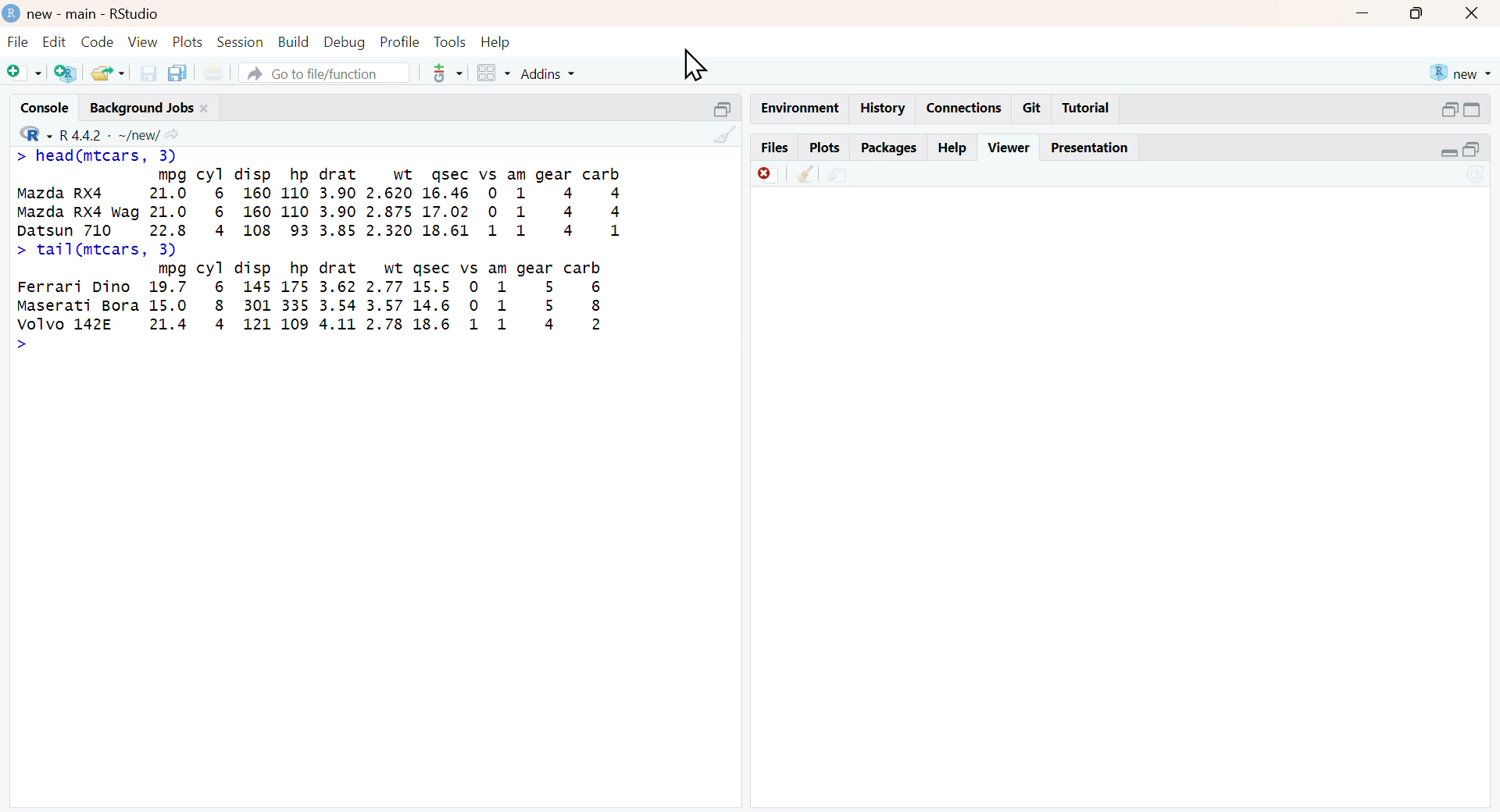 The image size is (1500, 812). I want to click on Build, so click(294, 40).